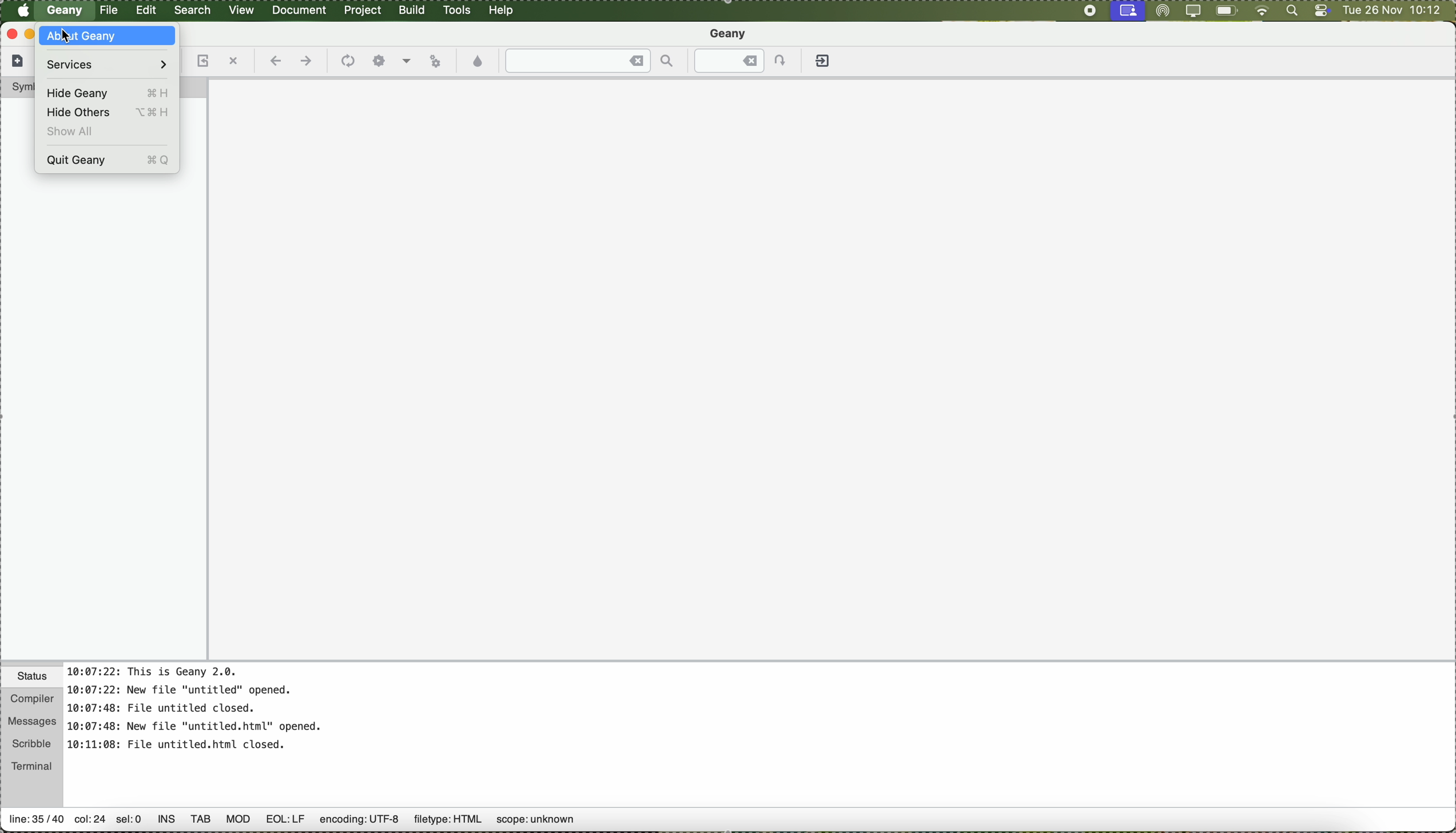  What do you see at coordinates (110, 11) in the screenshot?
I see `file` at bounding box center [110, 11].